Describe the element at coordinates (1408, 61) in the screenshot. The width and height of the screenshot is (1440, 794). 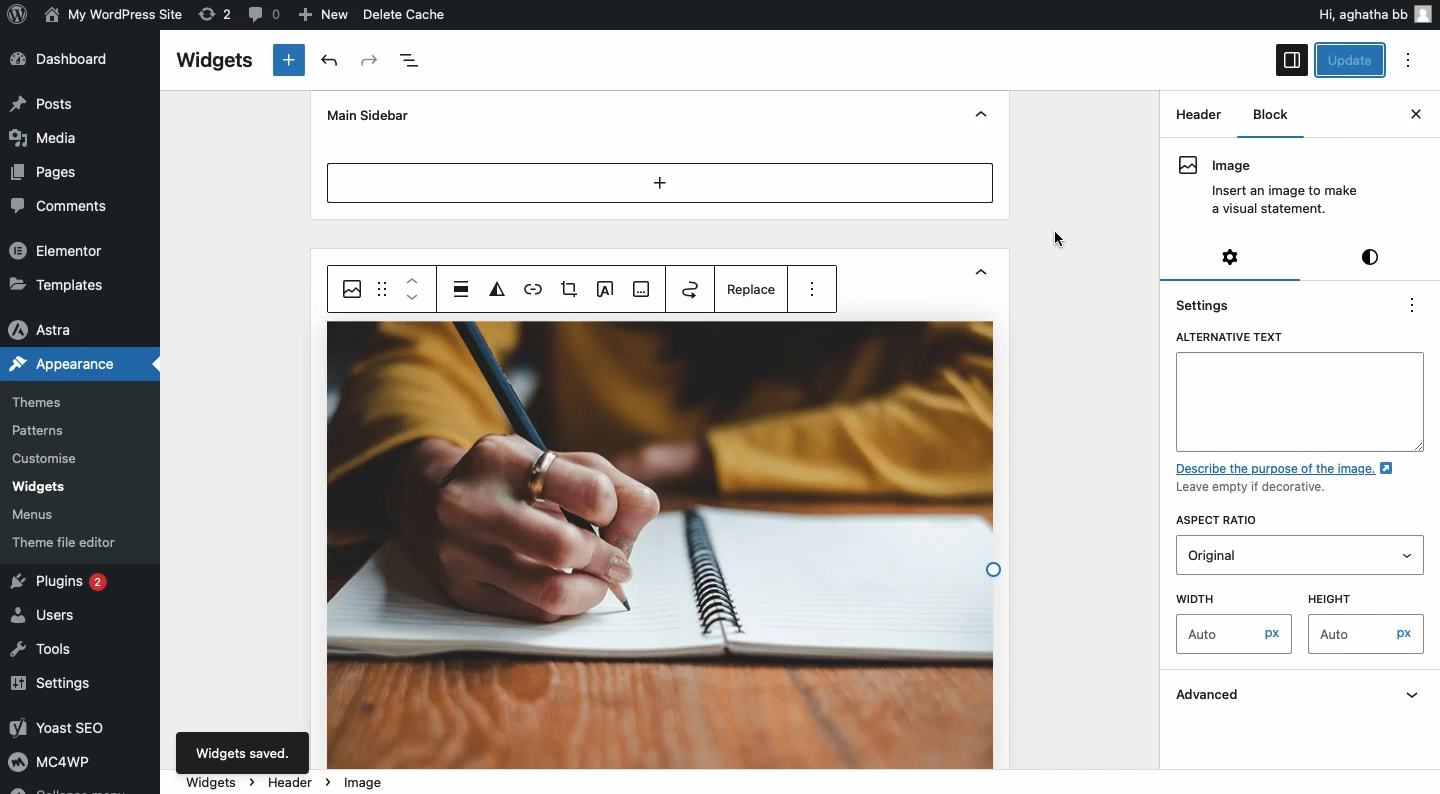
I see `Options` at that location.